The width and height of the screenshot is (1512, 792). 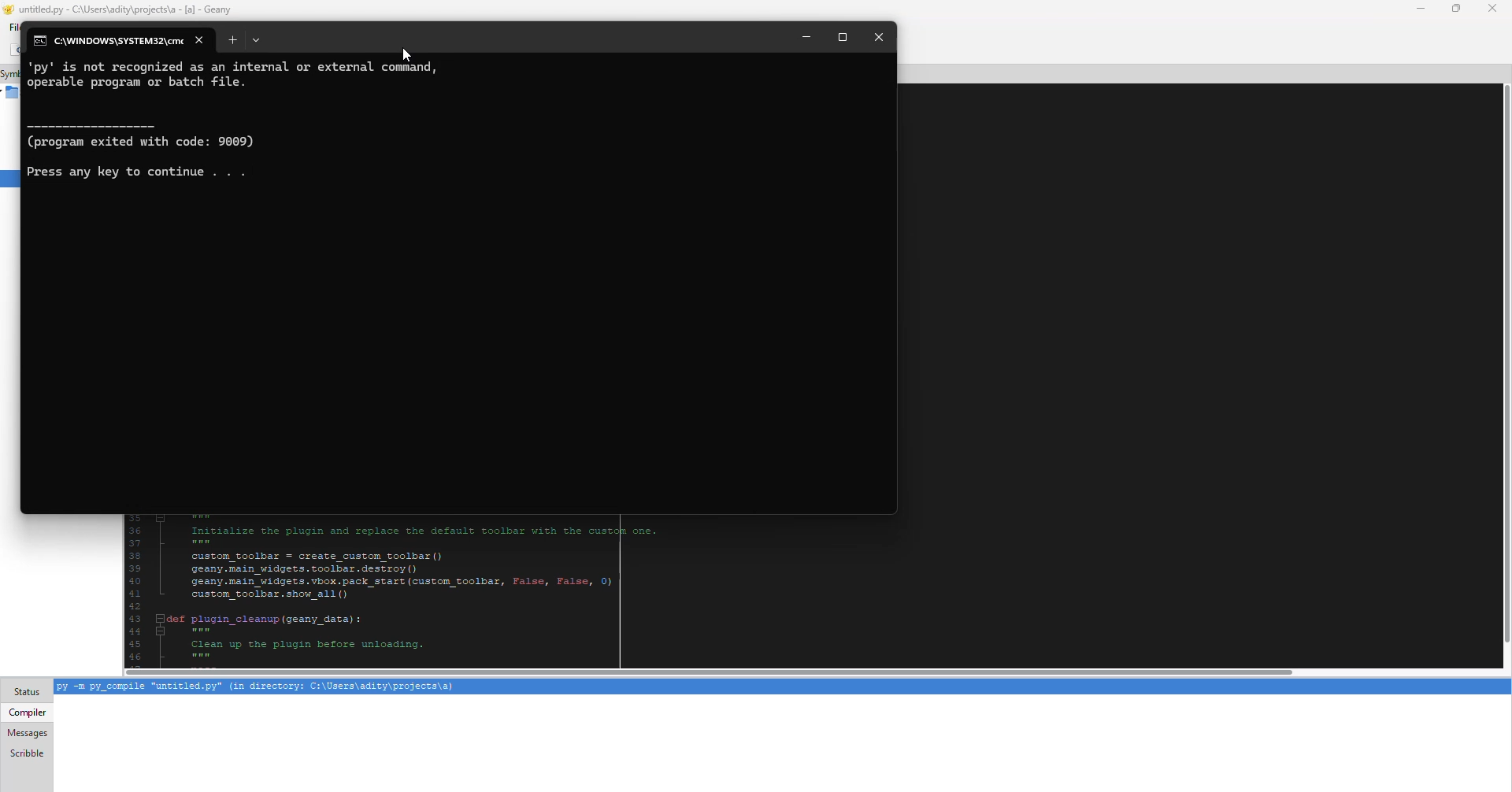 What do you see at coordinates (29, 712) in the screenshot?
I see `compiler` at bounding box center [29, 712].